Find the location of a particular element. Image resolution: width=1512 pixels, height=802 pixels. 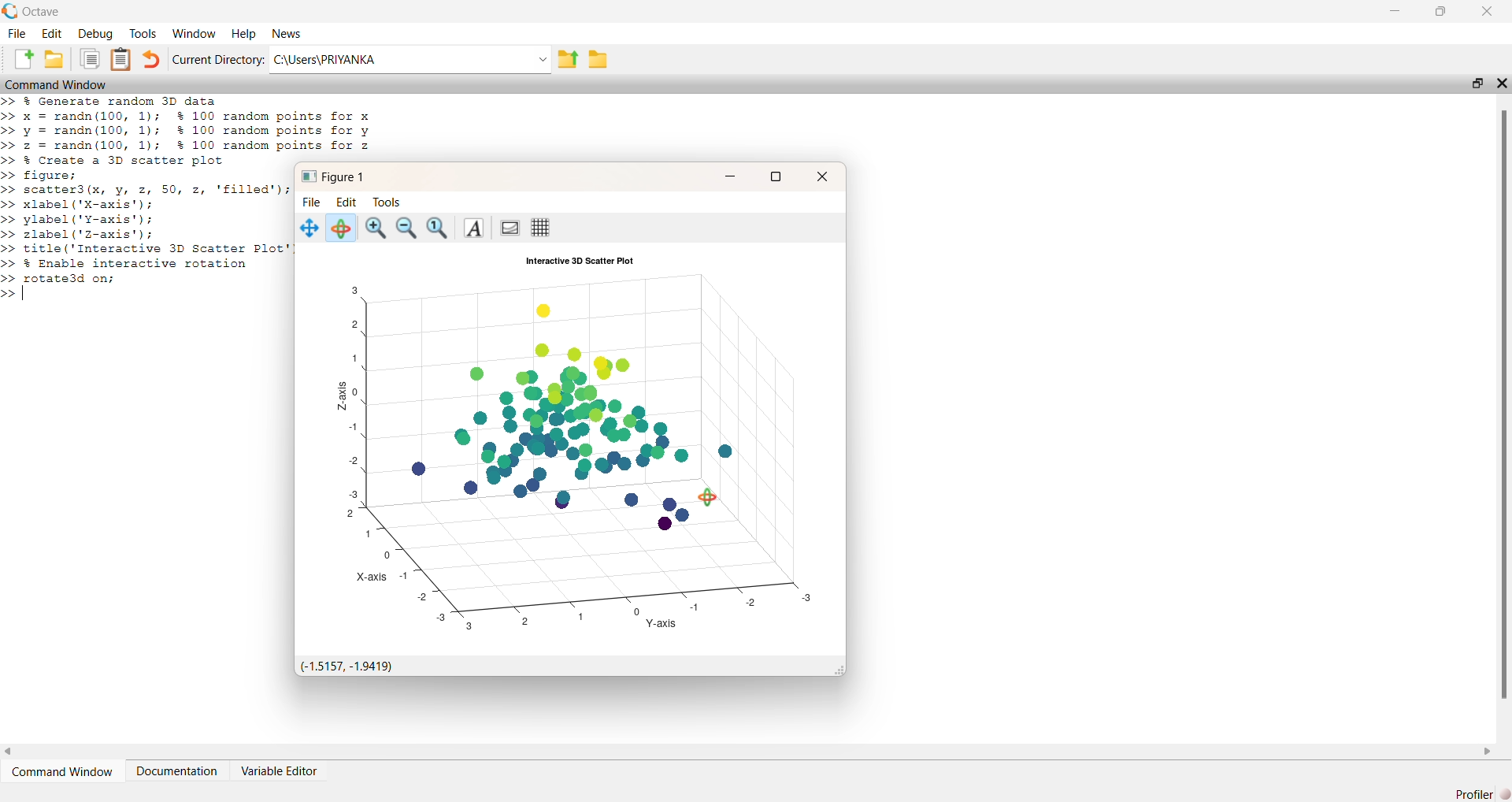

document clipboard is located at coordinates (120, 59).